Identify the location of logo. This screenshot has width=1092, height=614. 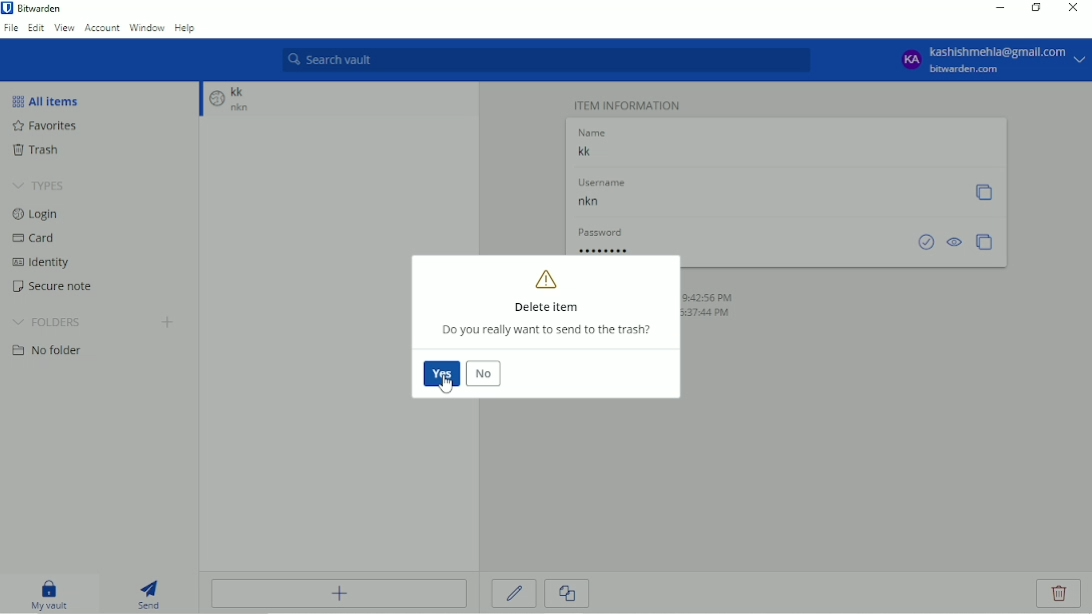
(217, 102).